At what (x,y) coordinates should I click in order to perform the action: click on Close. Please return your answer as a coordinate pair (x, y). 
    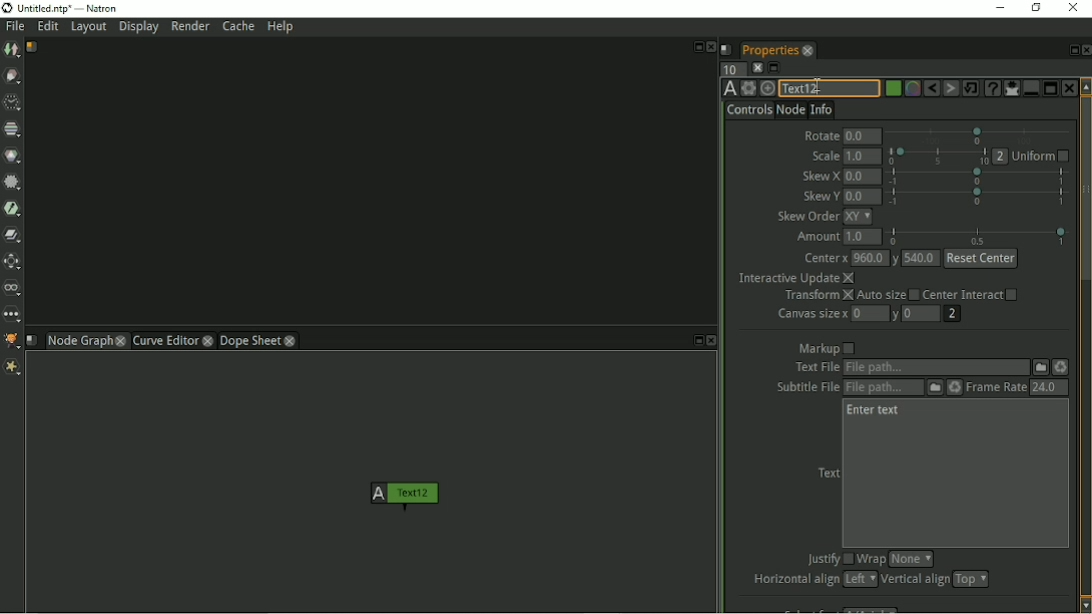
    Looking at the image, I should click on (1085, 50).